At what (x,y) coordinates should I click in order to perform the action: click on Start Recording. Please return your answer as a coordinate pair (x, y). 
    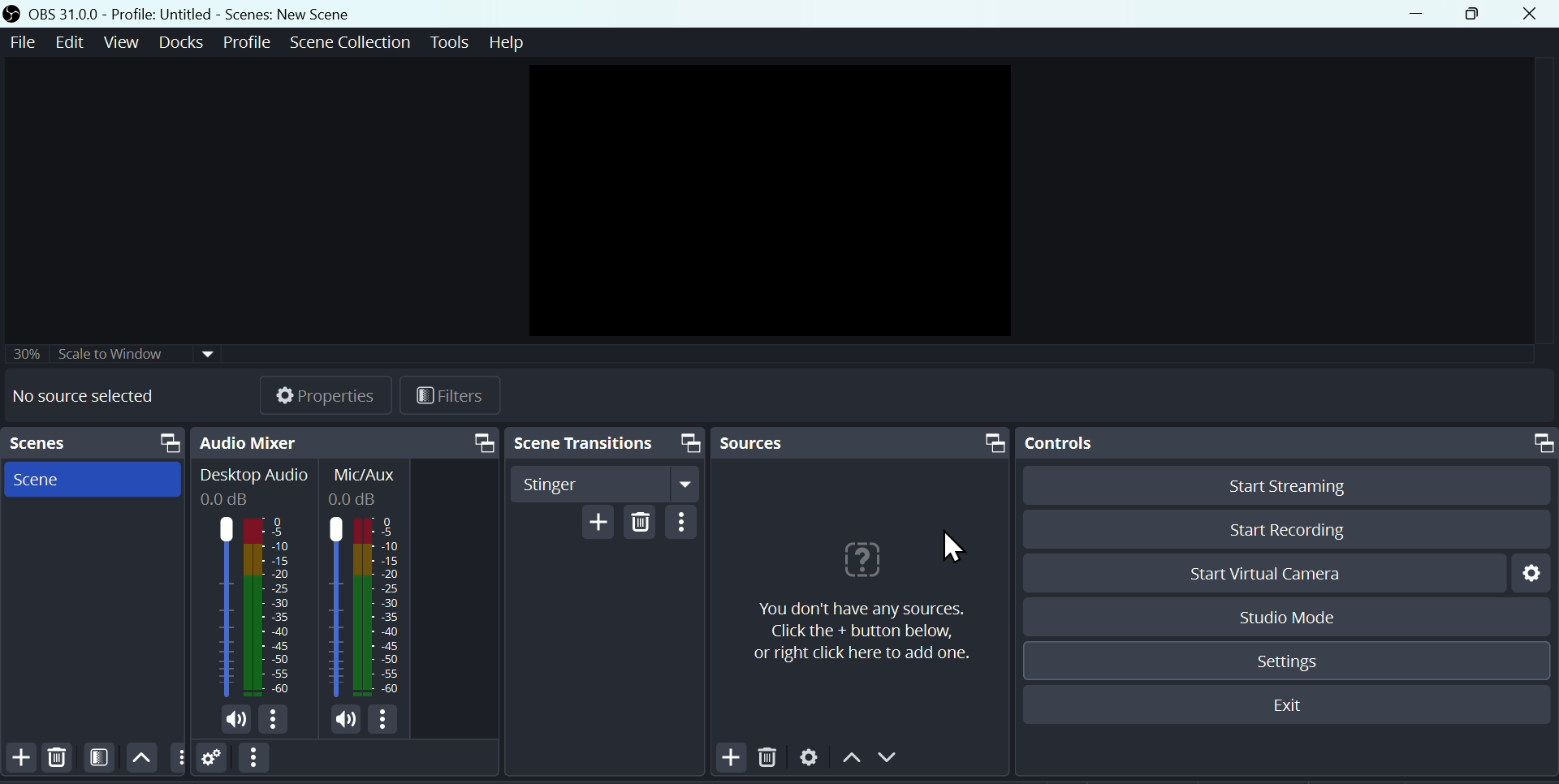
    Looking at the image, I should click on (1329, 532).